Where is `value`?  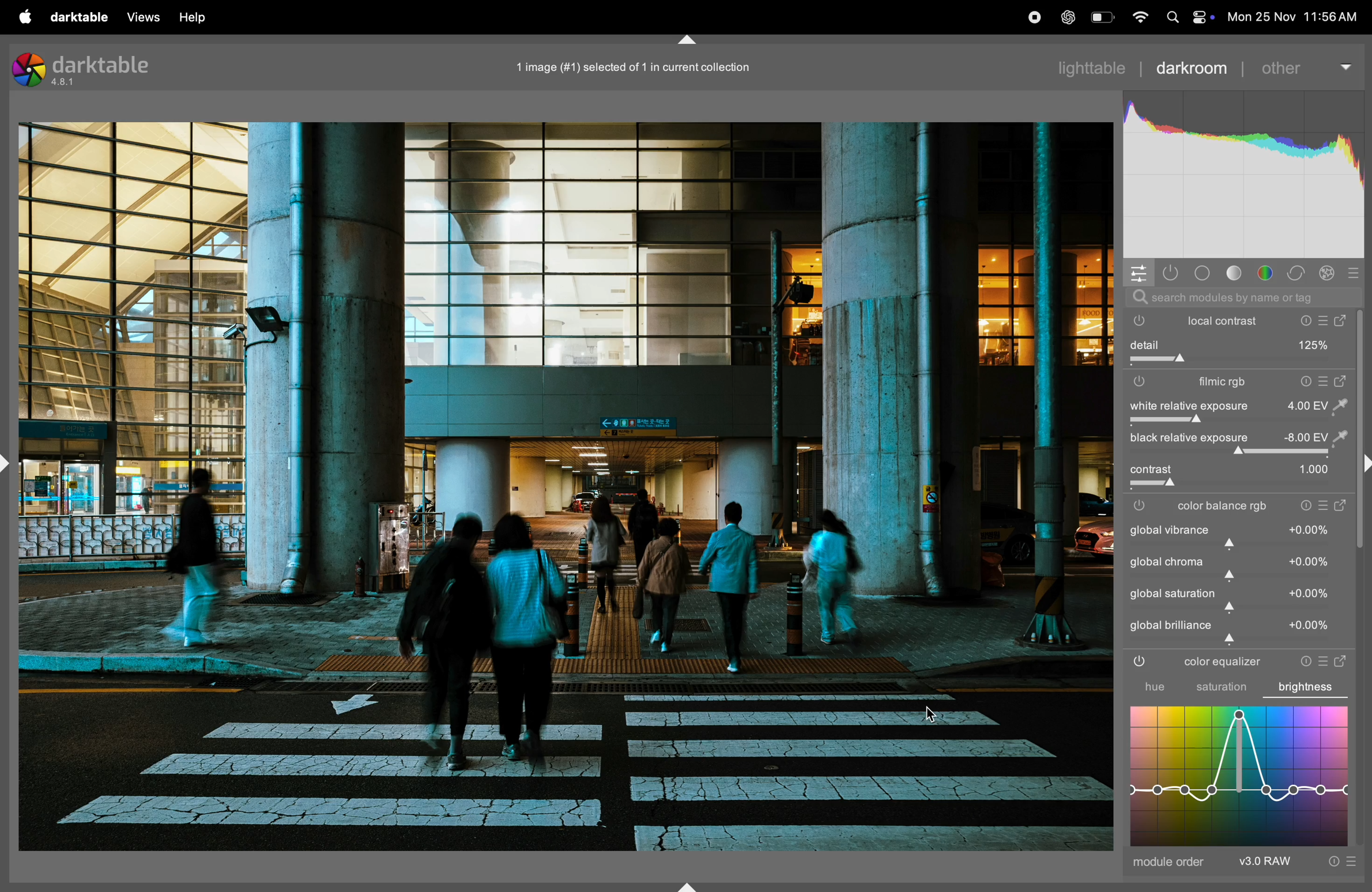 value is located at coordinates (1317, 405).